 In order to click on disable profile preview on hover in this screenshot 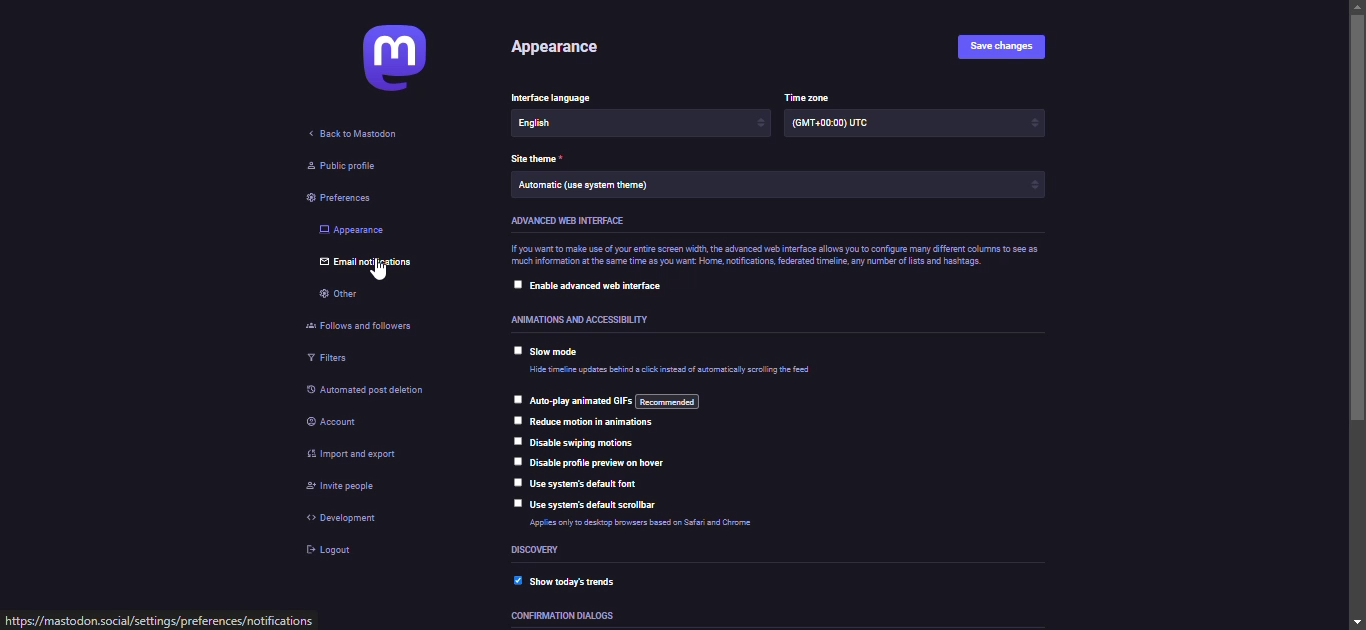, I will do `click(603, 462)`.